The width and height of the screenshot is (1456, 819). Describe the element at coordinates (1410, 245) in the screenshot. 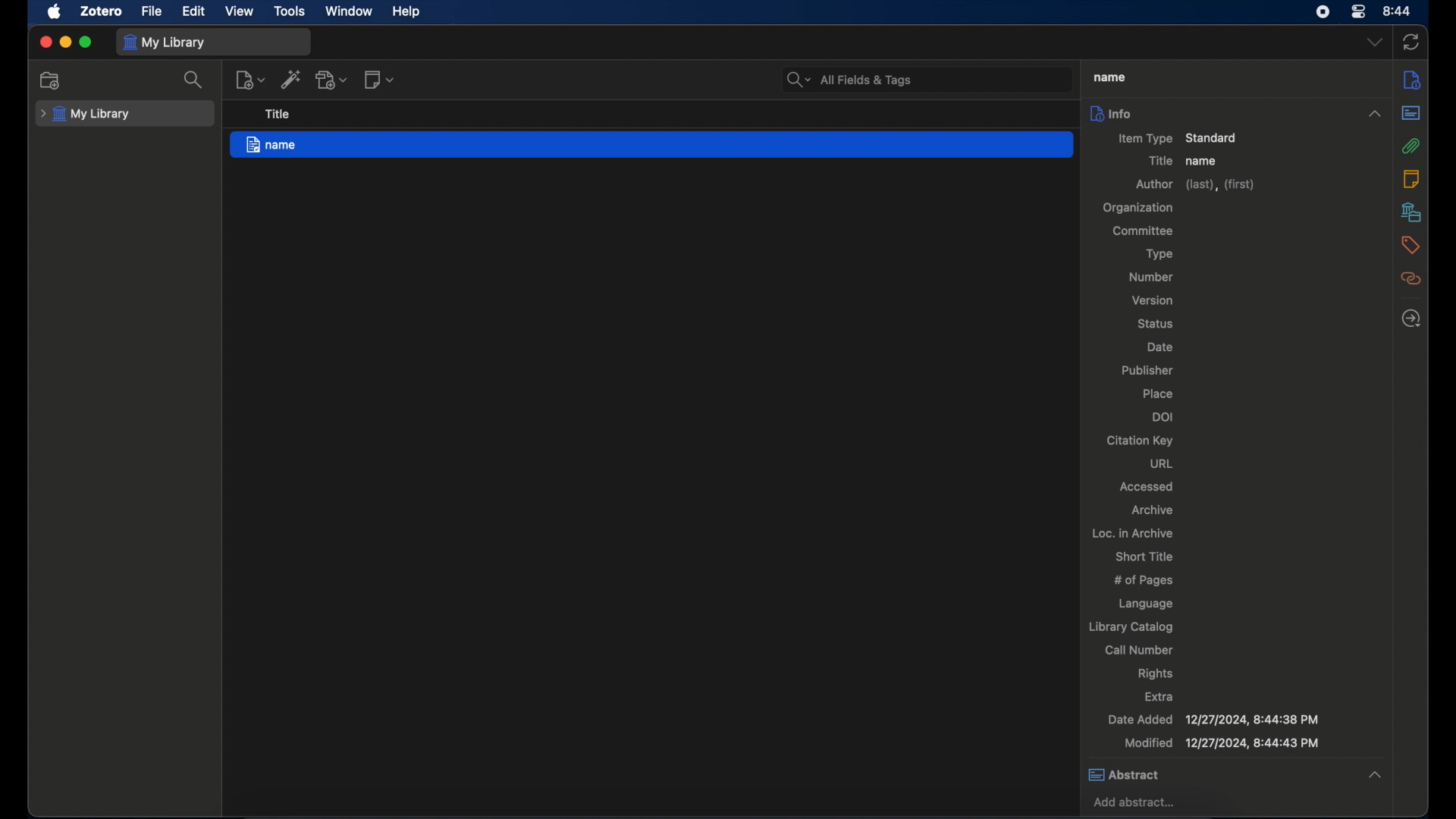

I see `tags` at that location.